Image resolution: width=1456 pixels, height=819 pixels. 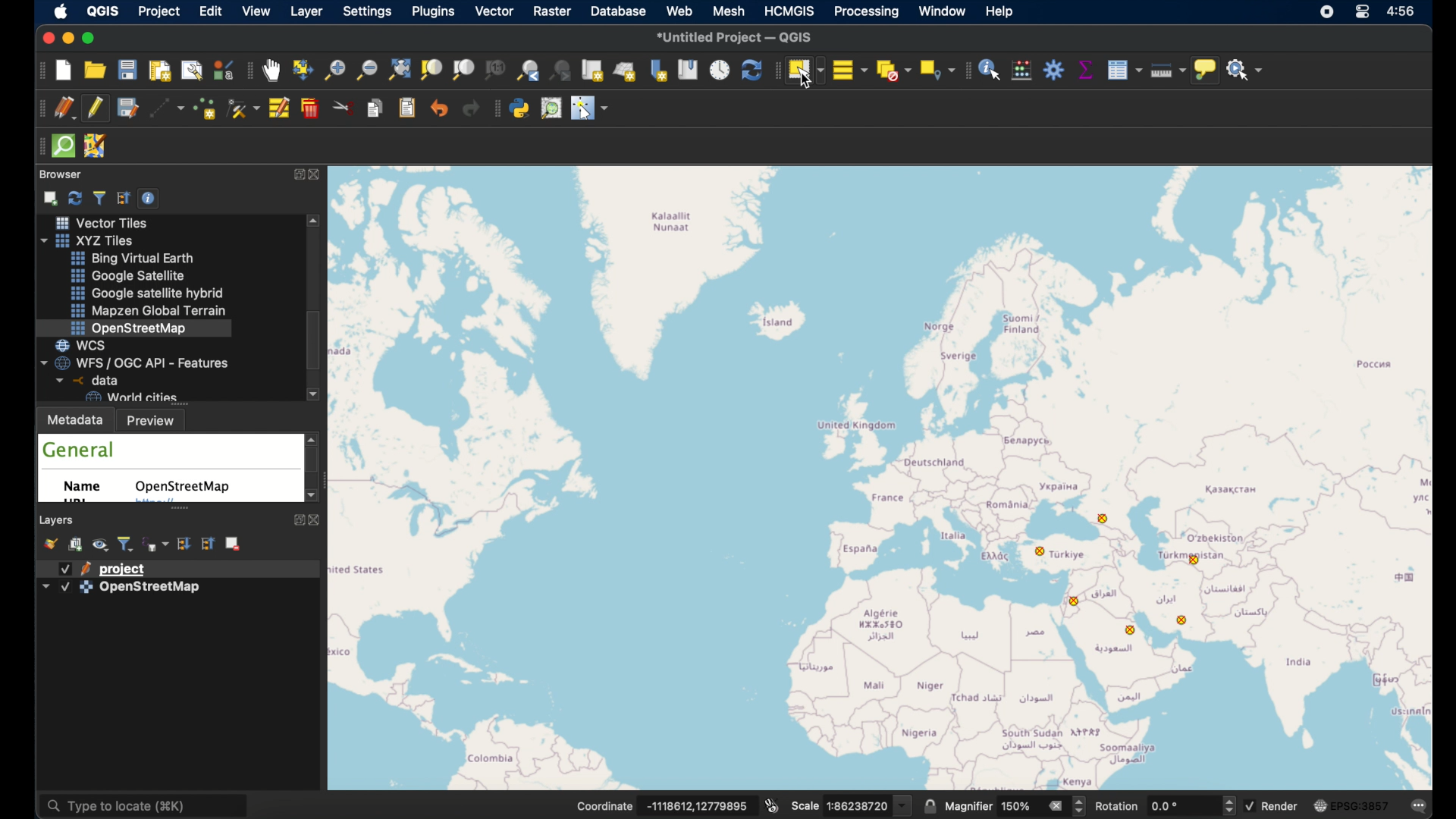 I want to click on quick osm, so click(x=63, y=146).